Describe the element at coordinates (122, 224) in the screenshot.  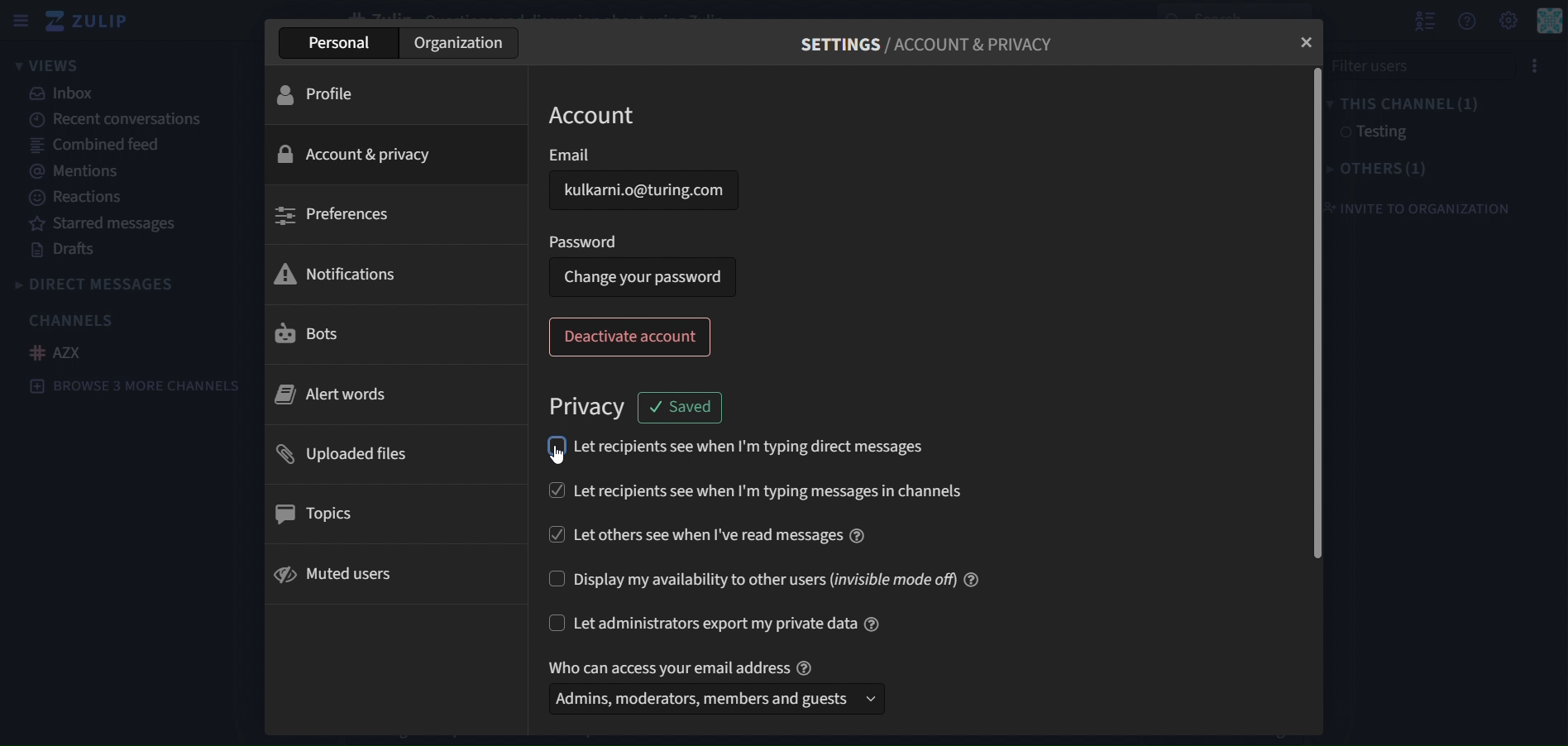
I see `starred messages` at that location.